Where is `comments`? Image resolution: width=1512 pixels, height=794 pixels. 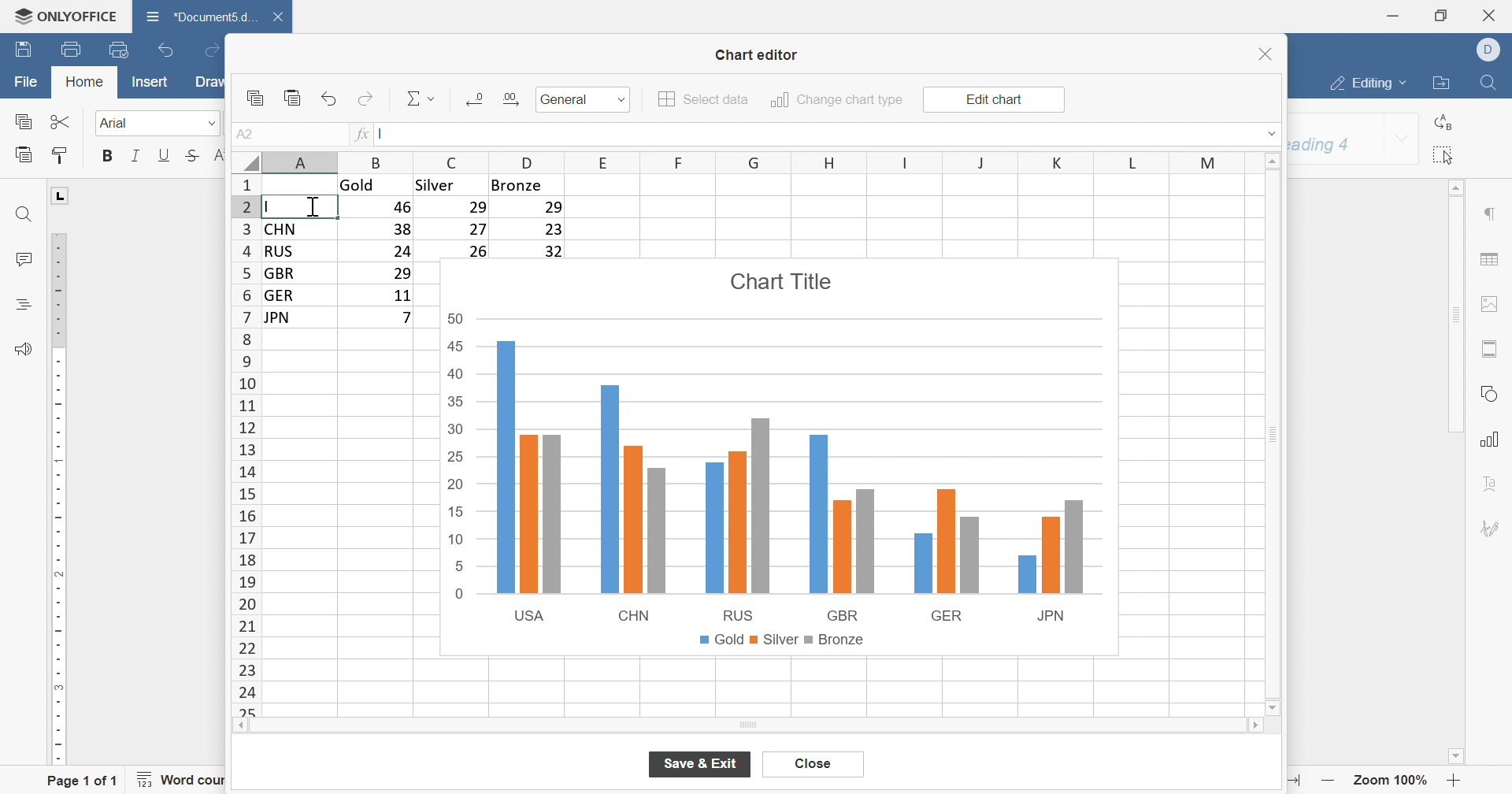 comments is located at coordinates (24, 258).